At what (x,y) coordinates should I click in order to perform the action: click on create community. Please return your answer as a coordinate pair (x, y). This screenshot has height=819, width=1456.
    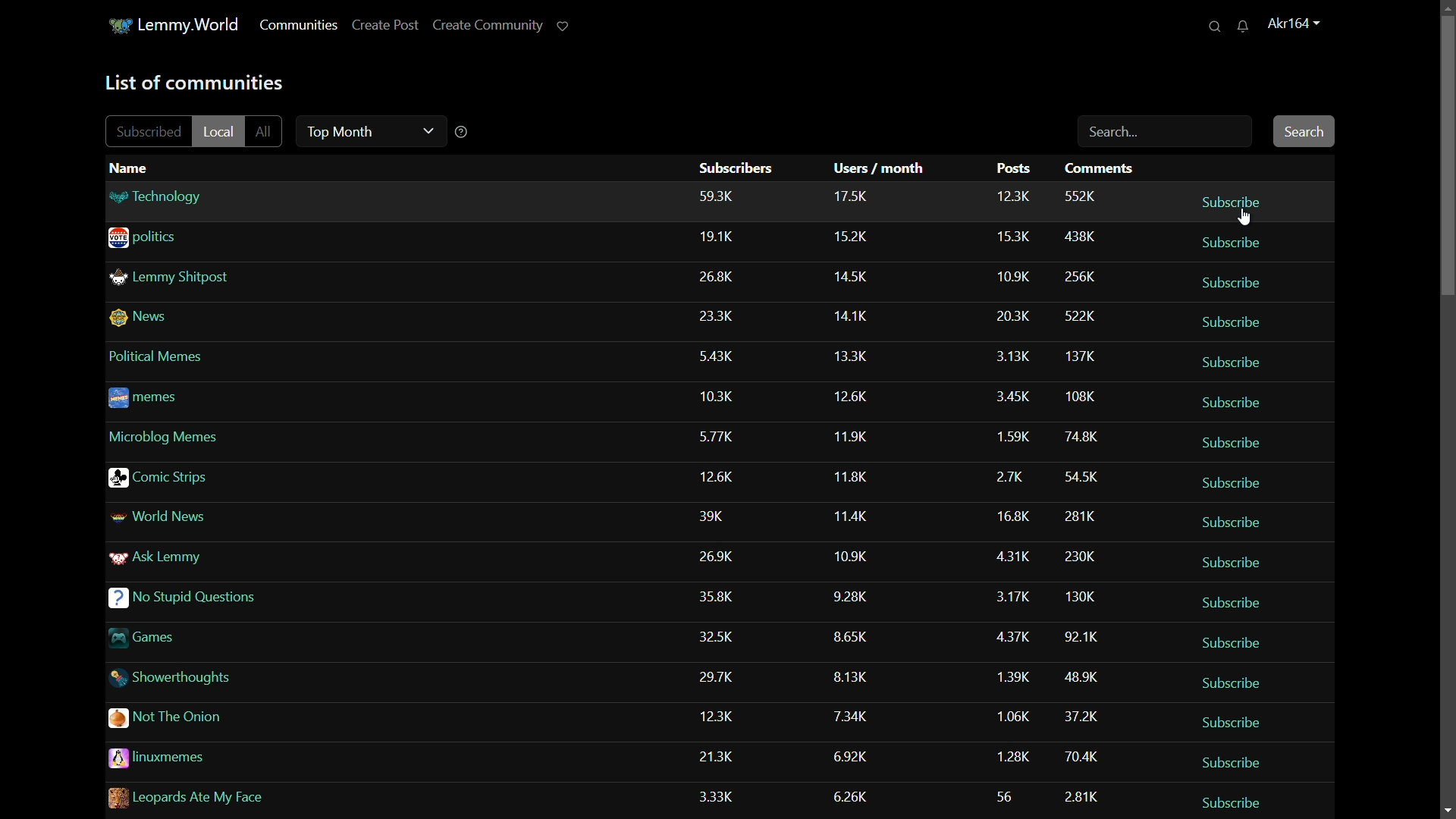
    Looking at the image, I should click on (485, 24).